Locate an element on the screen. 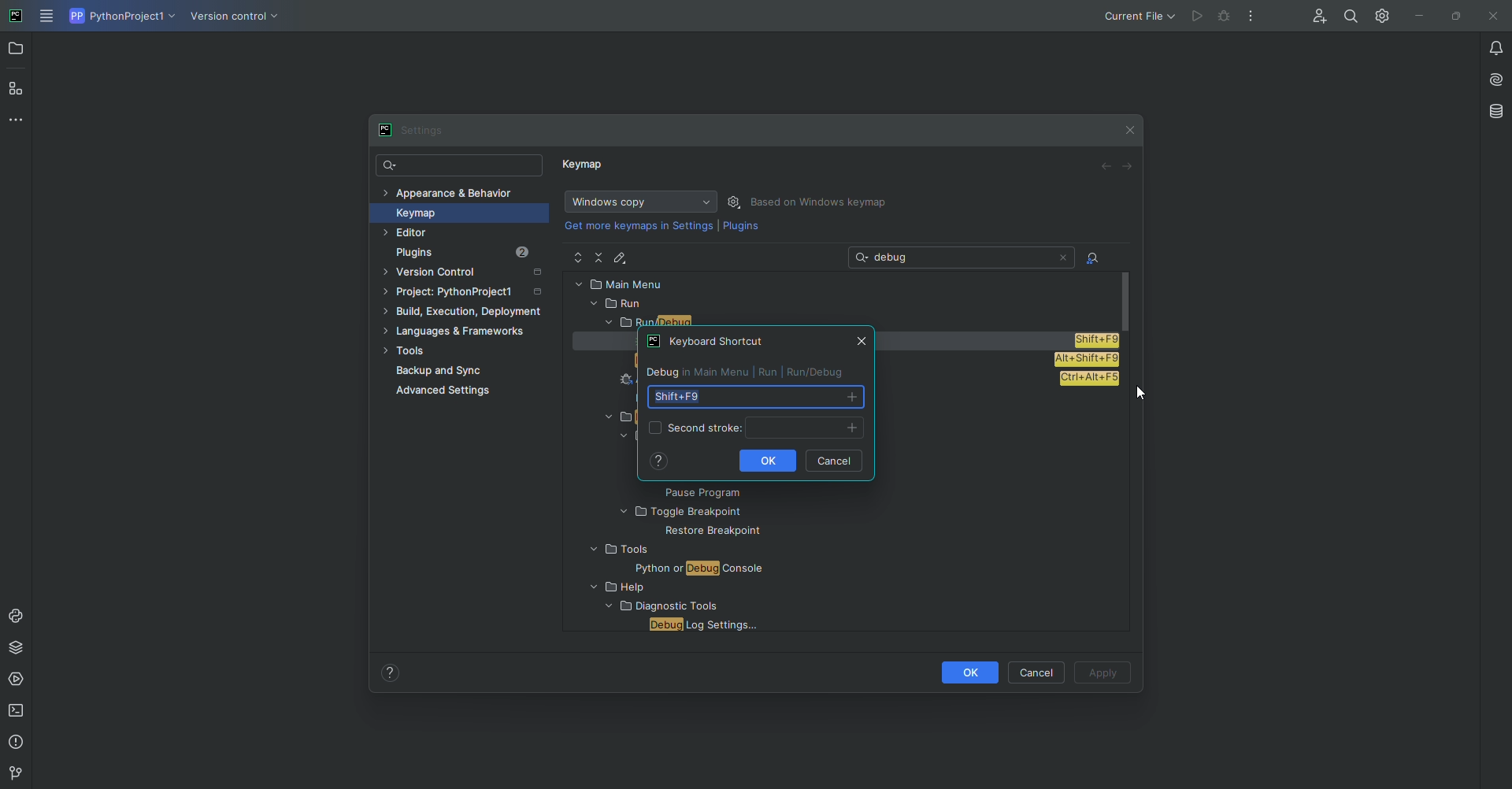 The width and height of the screenshot is (1512, 789). Project is located at coordinates (465, 294).